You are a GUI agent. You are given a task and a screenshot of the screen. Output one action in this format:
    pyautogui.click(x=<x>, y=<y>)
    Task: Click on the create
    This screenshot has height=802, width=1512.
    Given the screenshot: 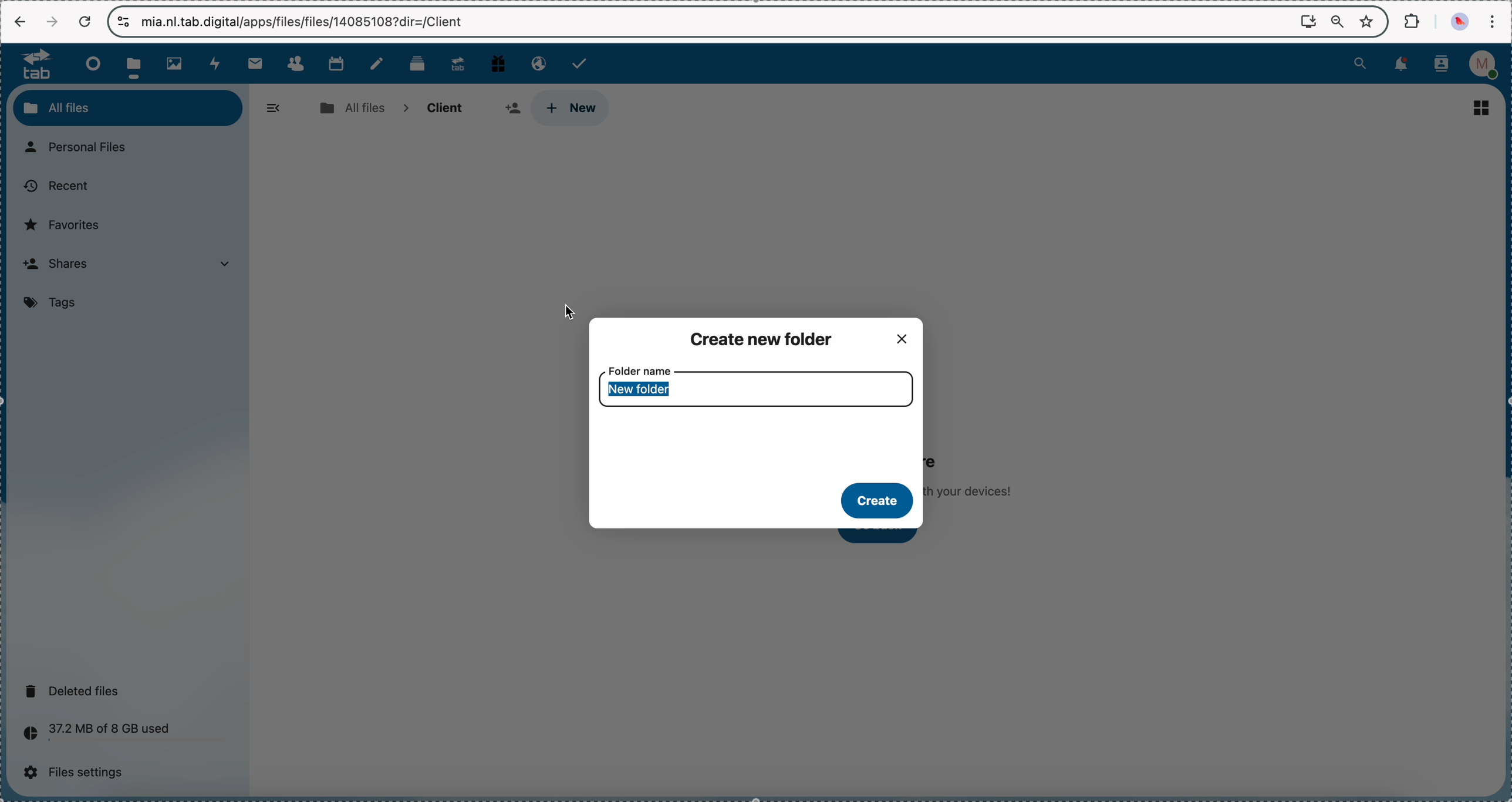 What is the action you would take?
    pyautogui.click(x=879, y=501)
    